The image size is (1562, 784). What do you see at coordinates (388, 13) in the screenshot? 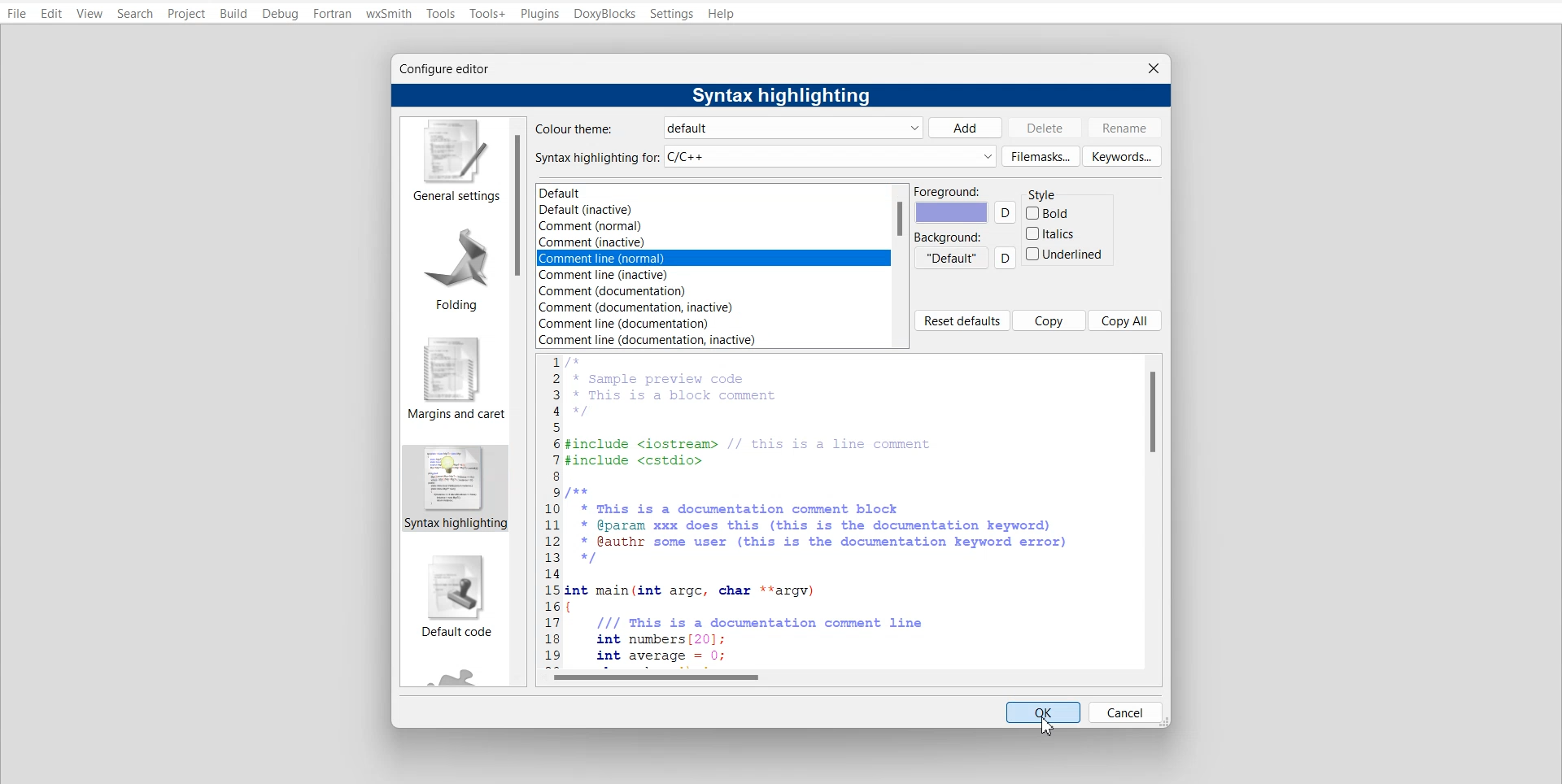
I see `wxSmith` at bounding box center [388, 13].